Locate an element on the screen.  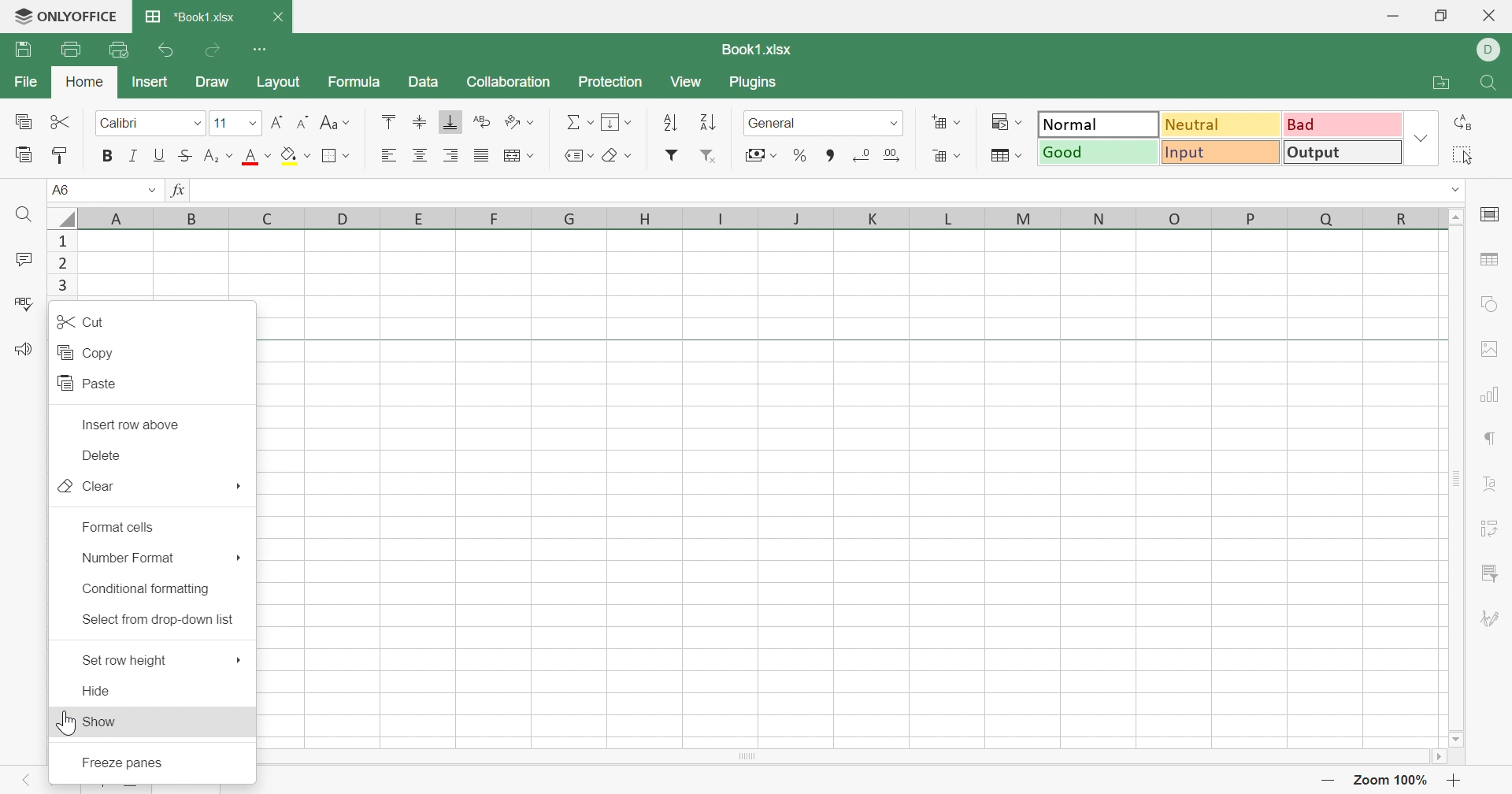
cell settings is located at coordinates (1489, 217).